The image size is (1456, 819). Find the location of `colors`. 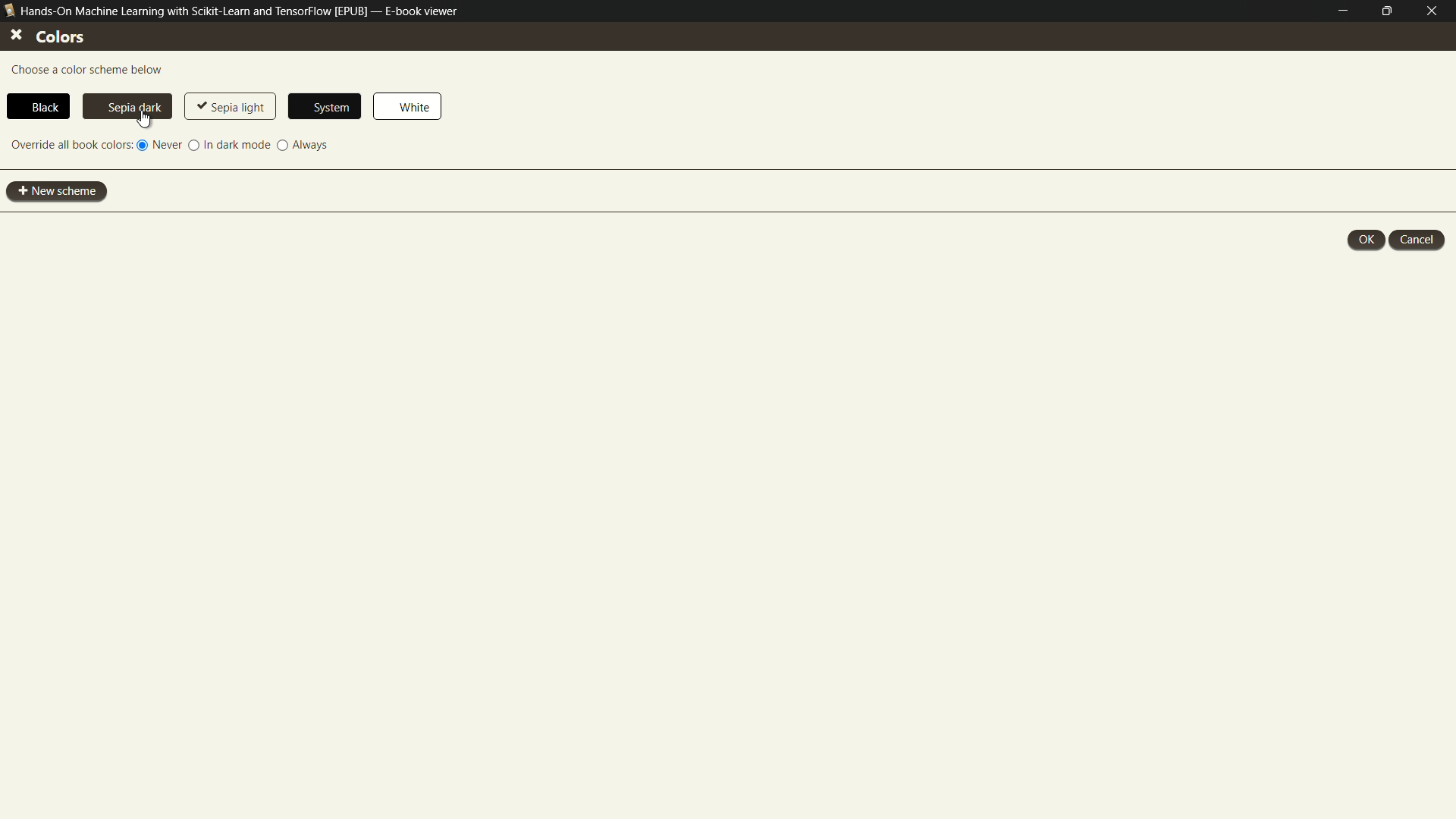

colors is located at coordinates (49, 37).